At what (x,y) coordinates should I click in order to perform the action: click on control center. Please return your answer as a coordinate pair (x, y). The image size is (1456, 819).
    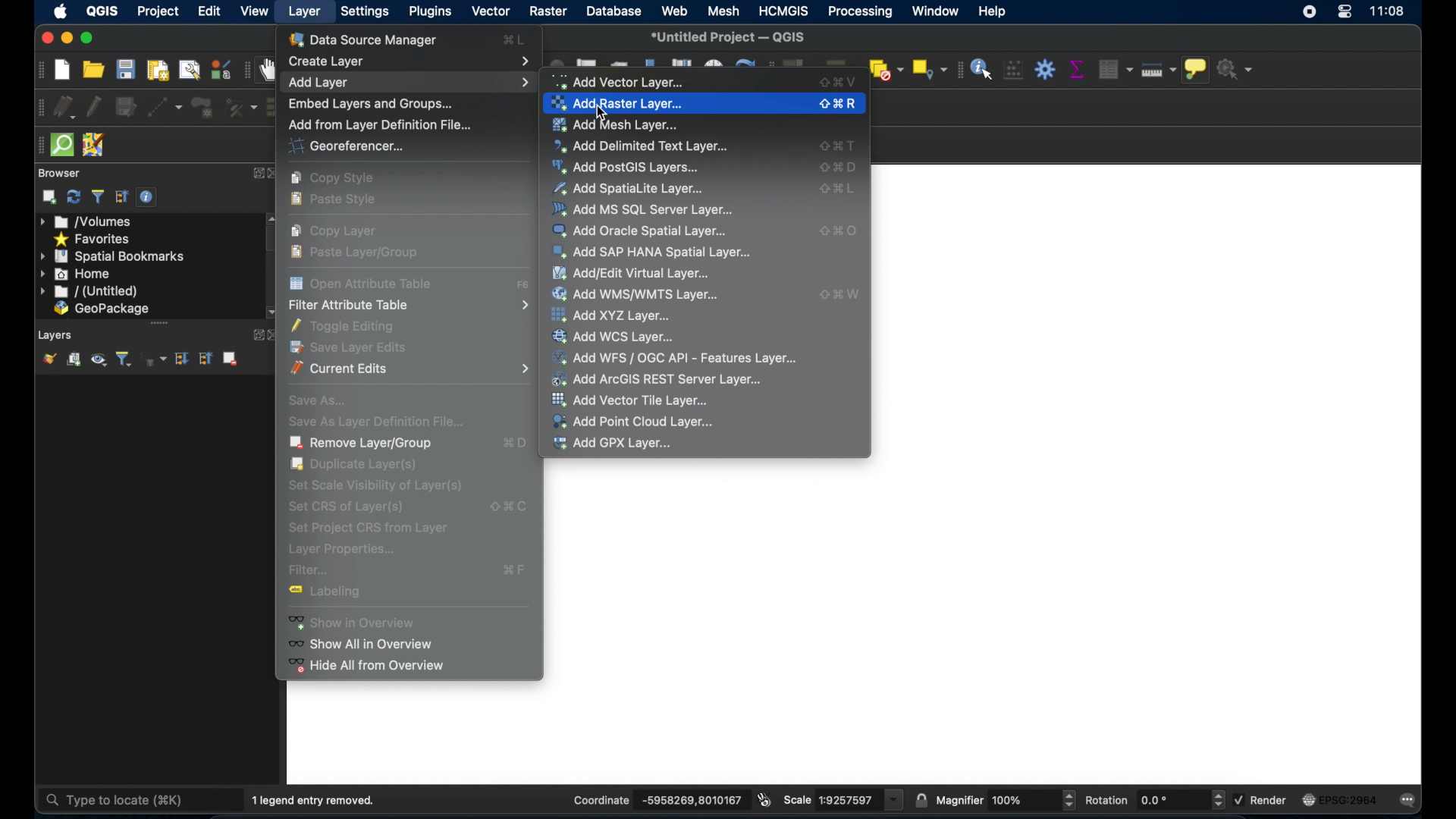
    Looking at the image, I should click on (1345, 15).